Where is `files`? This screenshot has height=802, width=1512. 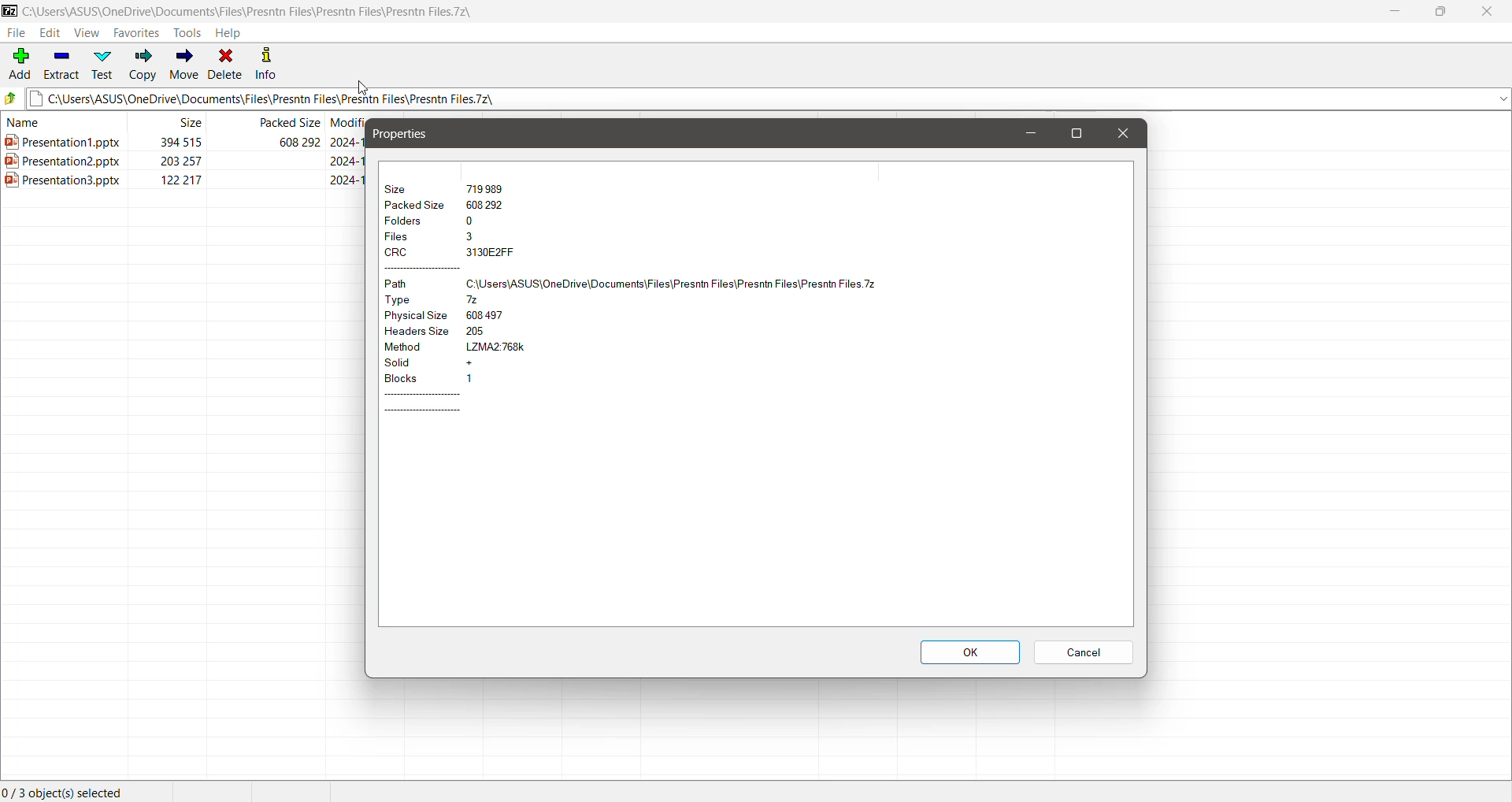 files is located at coordinates (410, 237).